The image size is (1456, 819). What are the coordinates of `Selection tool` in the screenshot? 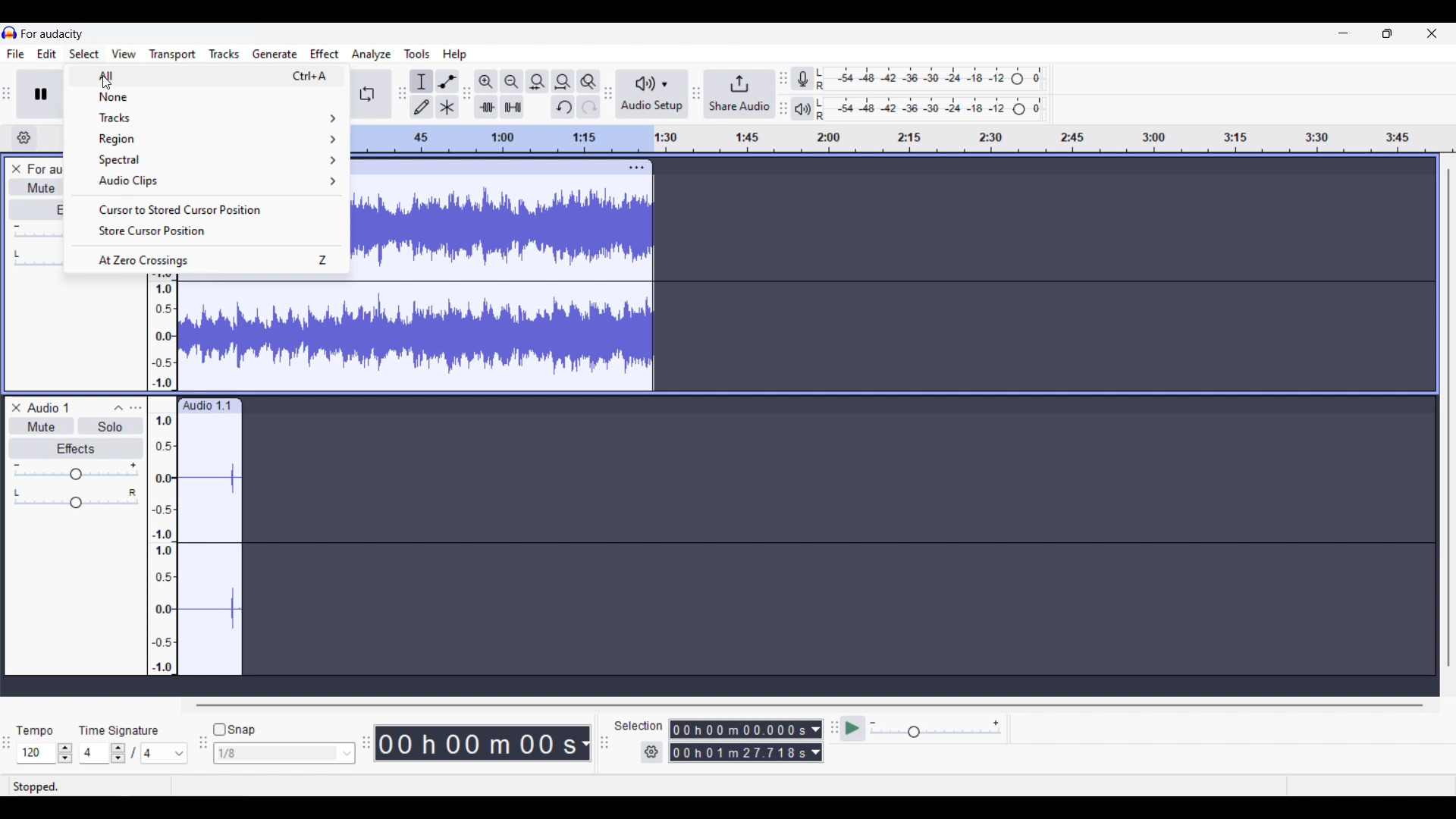 It's located at (422, 82).